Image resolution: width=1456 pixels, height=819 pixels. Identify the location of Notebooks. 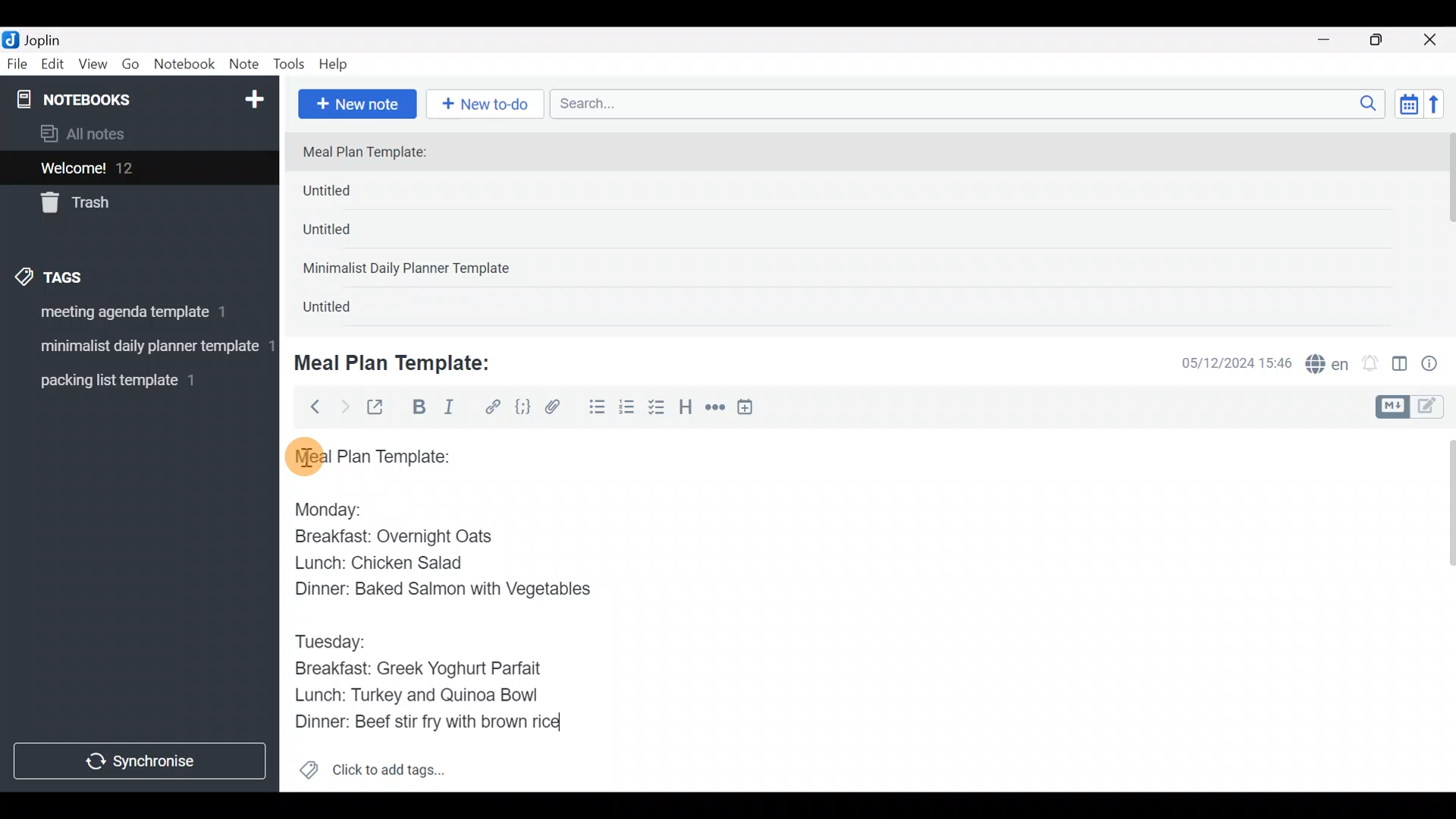
(107, 99).